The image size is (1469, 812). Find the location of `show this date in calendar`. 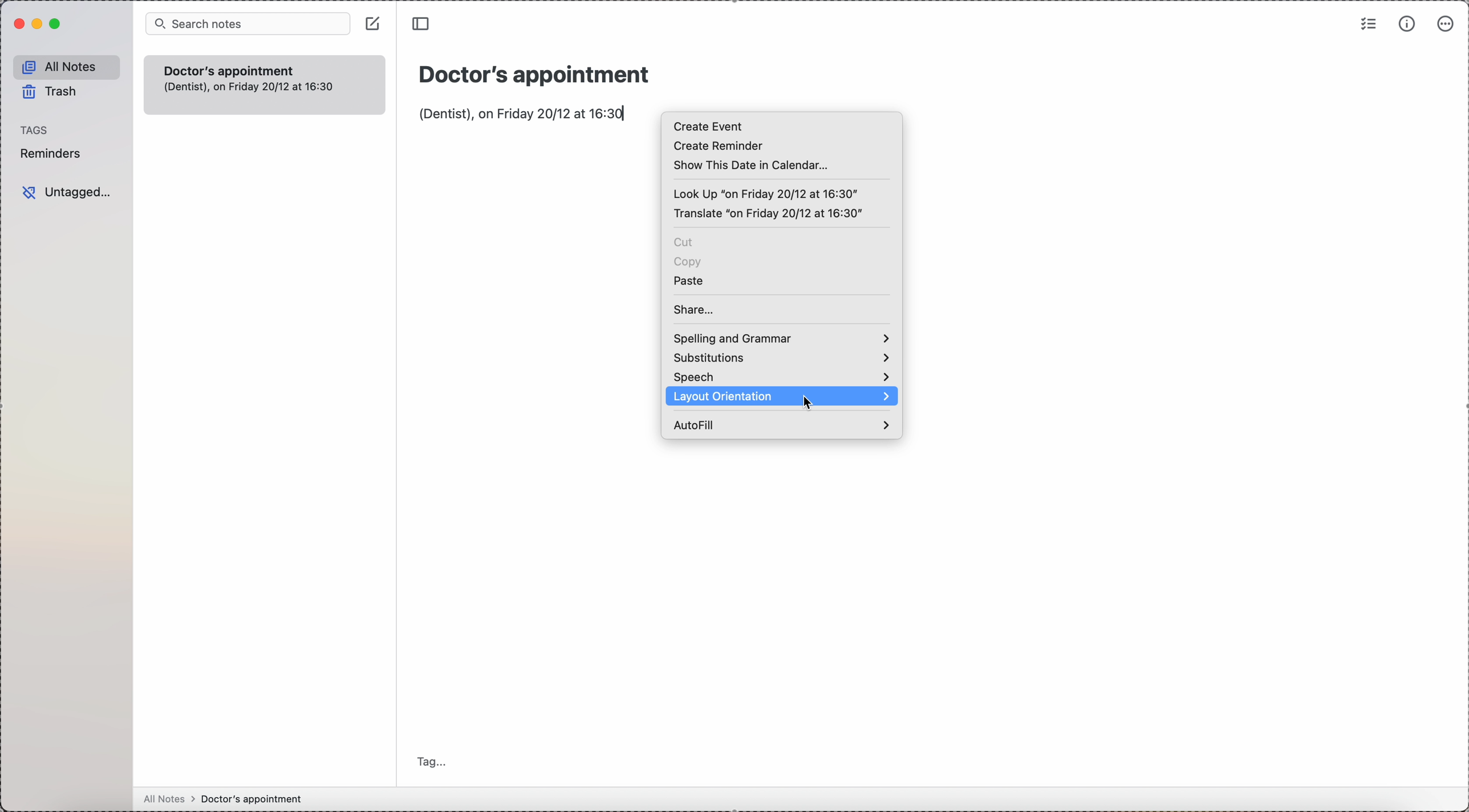

show this date in calendar is located at coordinates (754, 165).